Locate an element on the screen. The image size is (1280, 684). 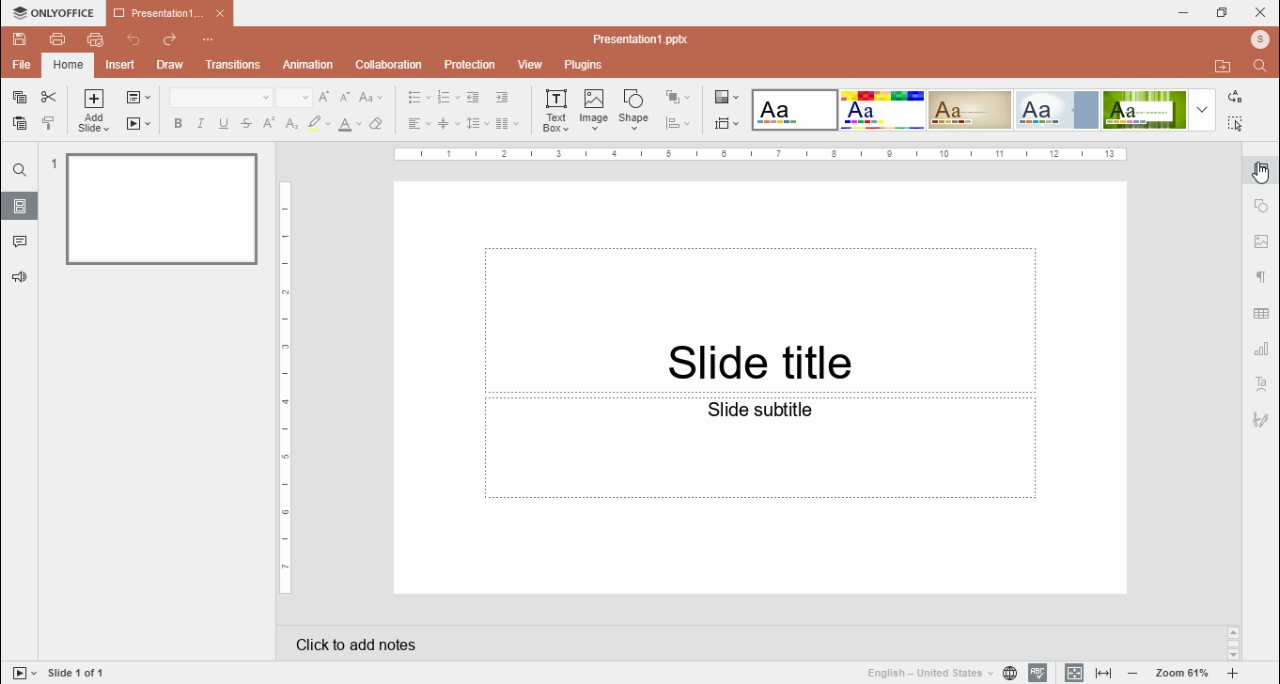
superscript is located at coordinates (270, 123).